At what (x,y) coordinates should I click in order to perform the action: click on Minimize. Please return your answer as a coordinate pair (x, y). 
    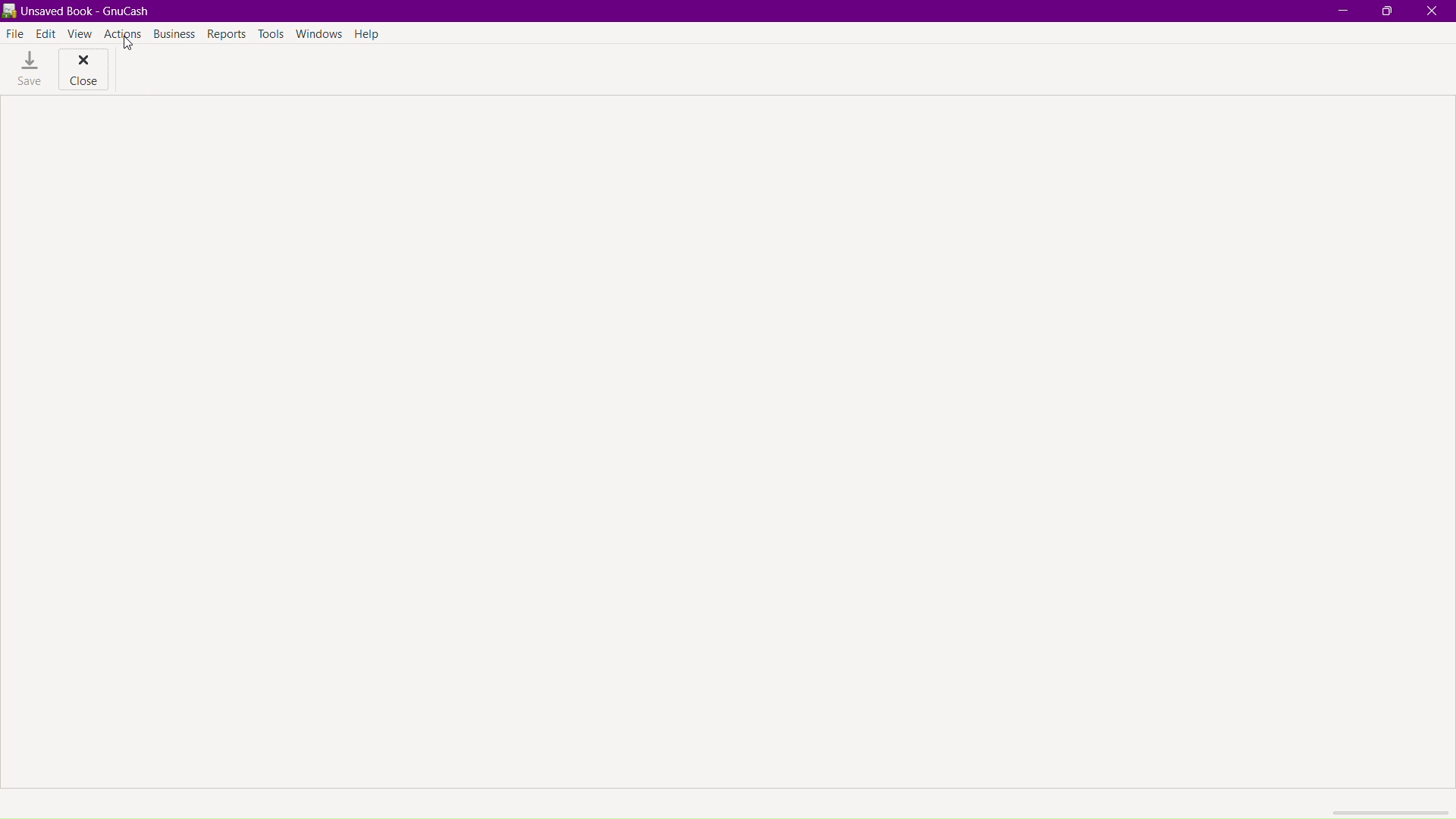
    Looking at the image, I should click on (1341, 11).